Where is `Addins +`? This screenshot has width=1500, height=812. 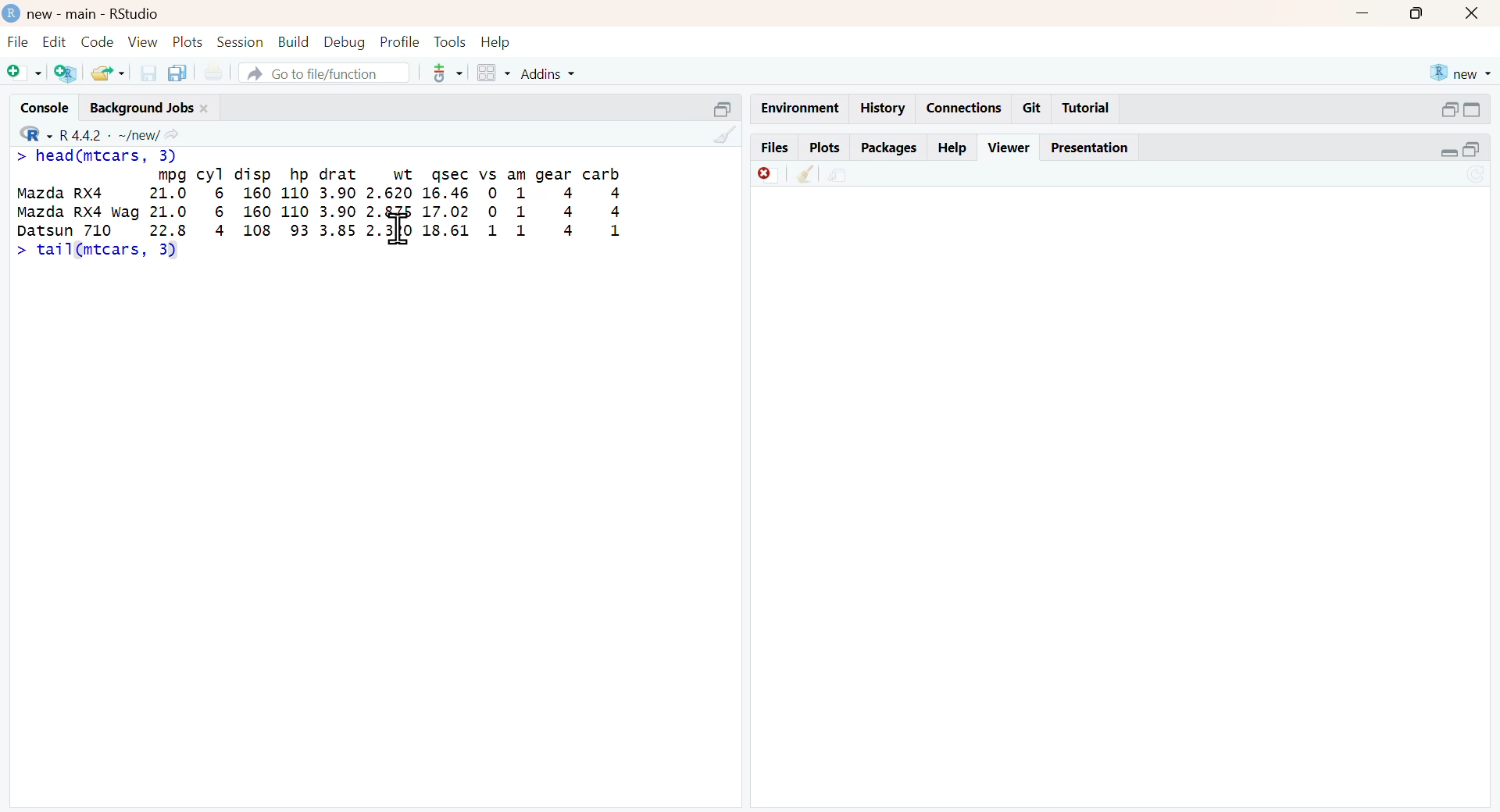 Addins + is located at coordinates (548, 74).